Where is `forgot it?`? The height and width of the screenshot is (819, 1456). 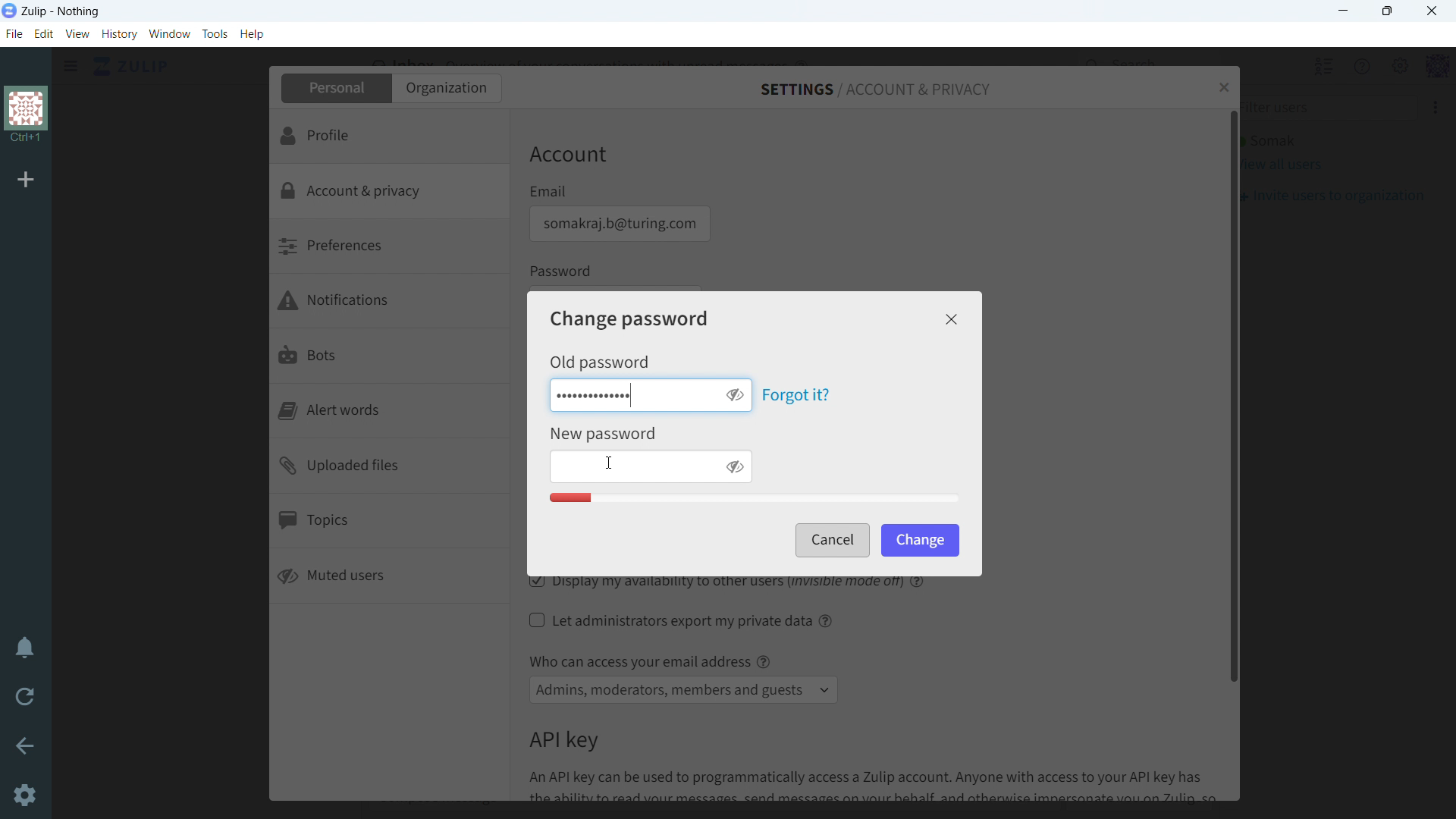
forgot it? is located at coordinates (796, 395).